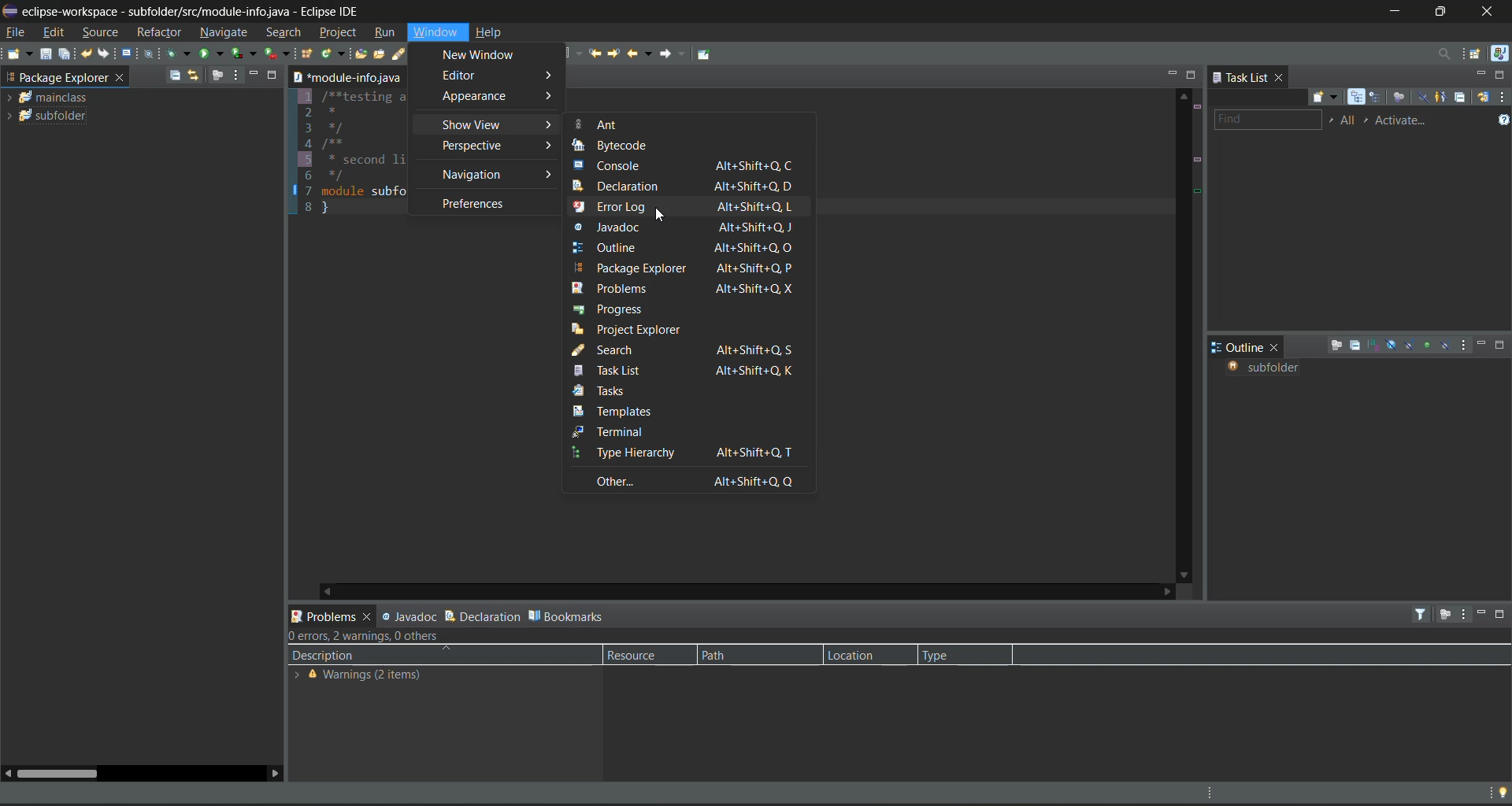 This screenshot has height=806, width=1512. I want to click on minimize, so click(1480, 613).